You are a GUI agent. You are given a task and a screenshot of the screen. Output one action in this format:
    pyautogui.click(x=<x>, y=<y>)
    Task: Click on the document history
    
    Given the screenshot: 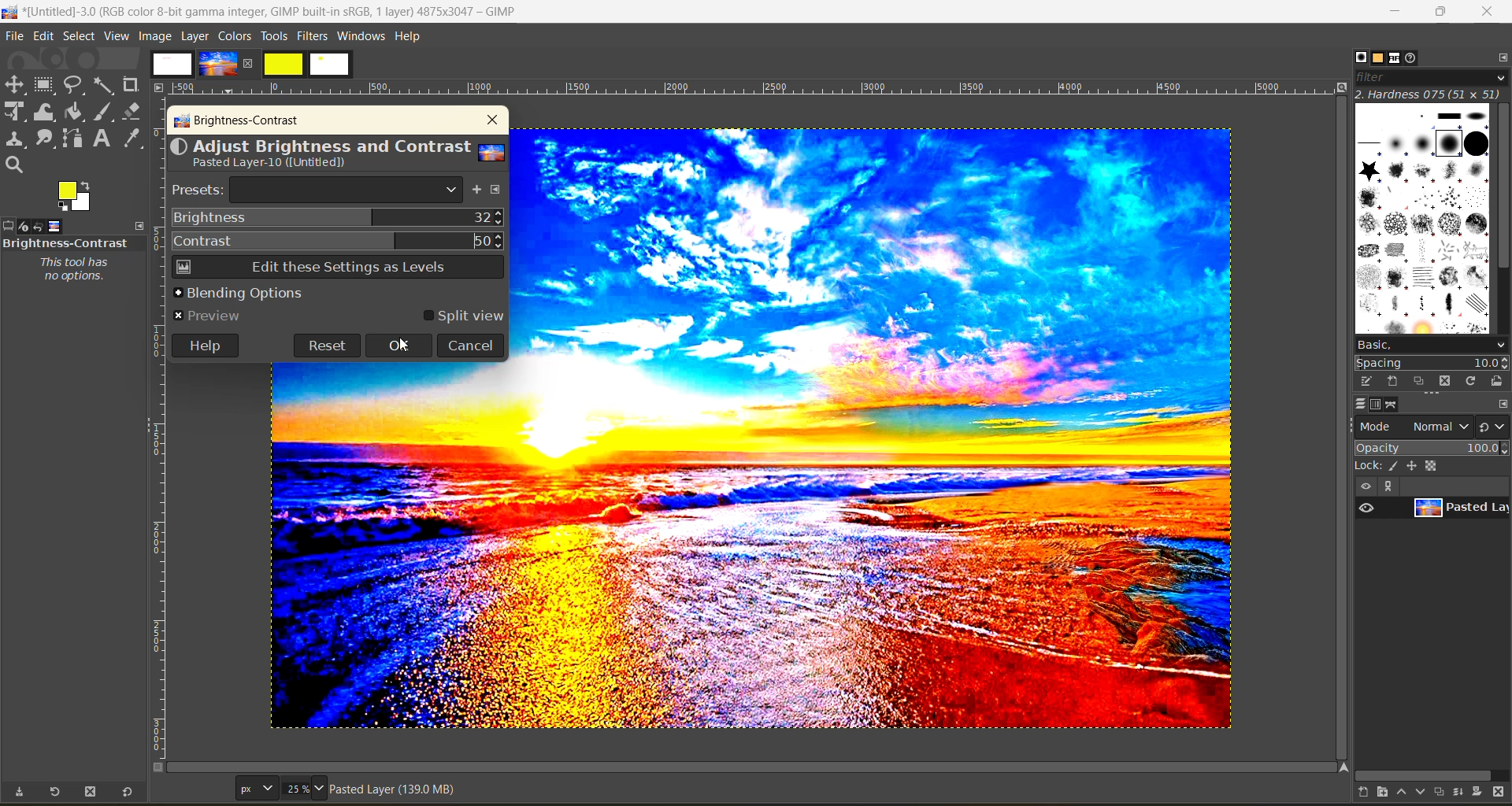 What is the action you would take?
    pyautogui.click(x=1414, y=57)
    